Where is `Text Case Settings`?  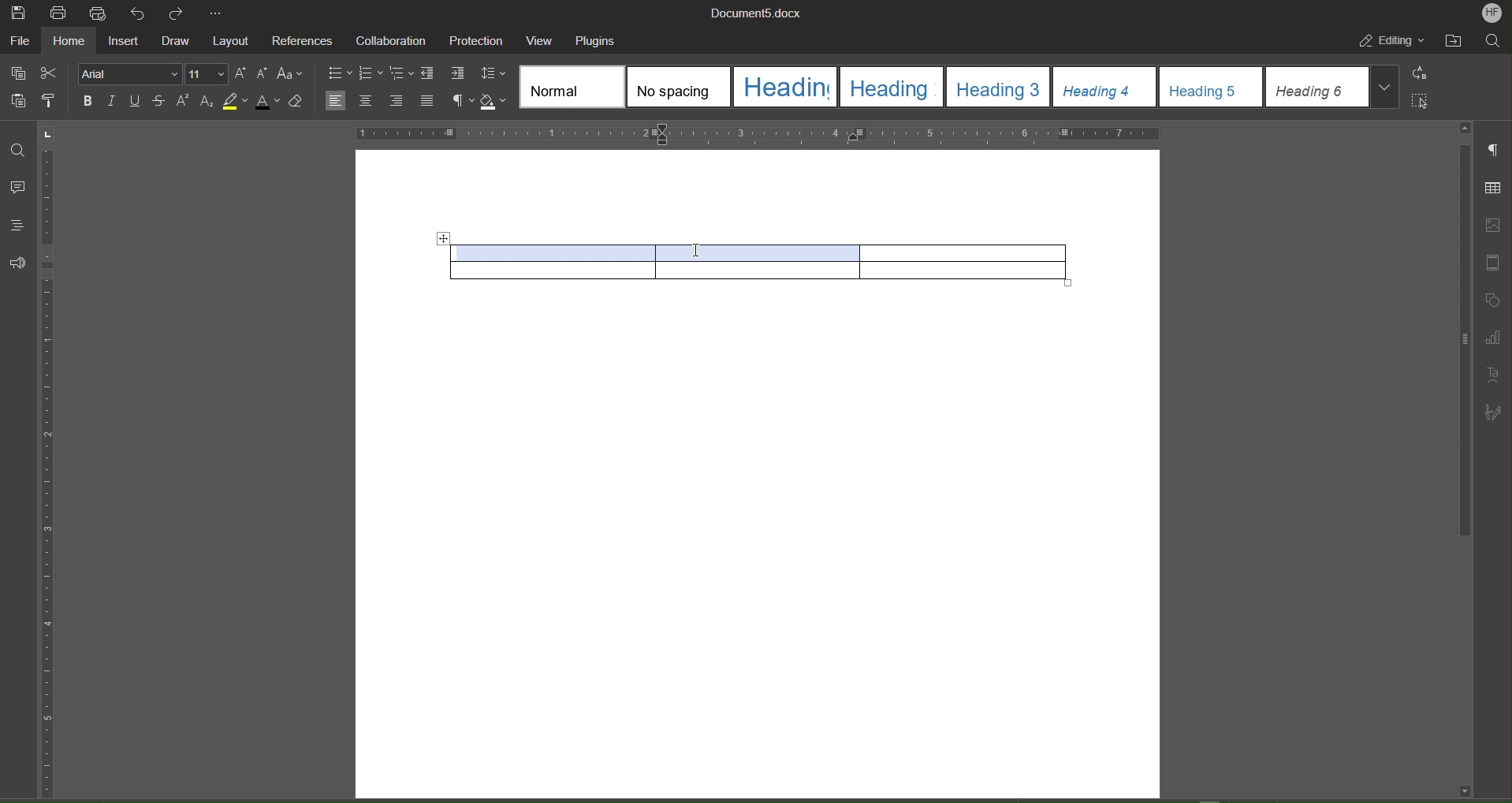 Text Case Settings is located at coordinates (292, 73).